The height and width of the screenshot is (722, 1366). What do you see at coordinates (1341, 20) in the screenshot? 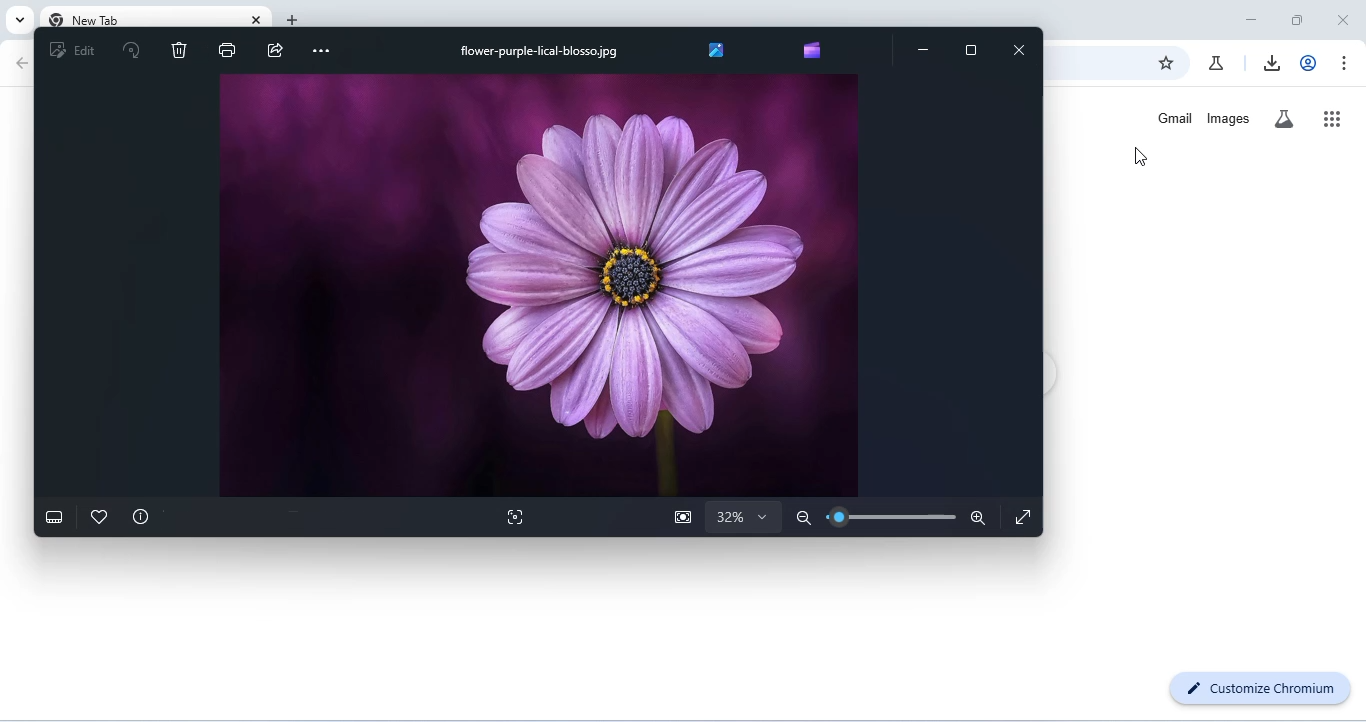
I see `close` at bounding box center [1341, 20].